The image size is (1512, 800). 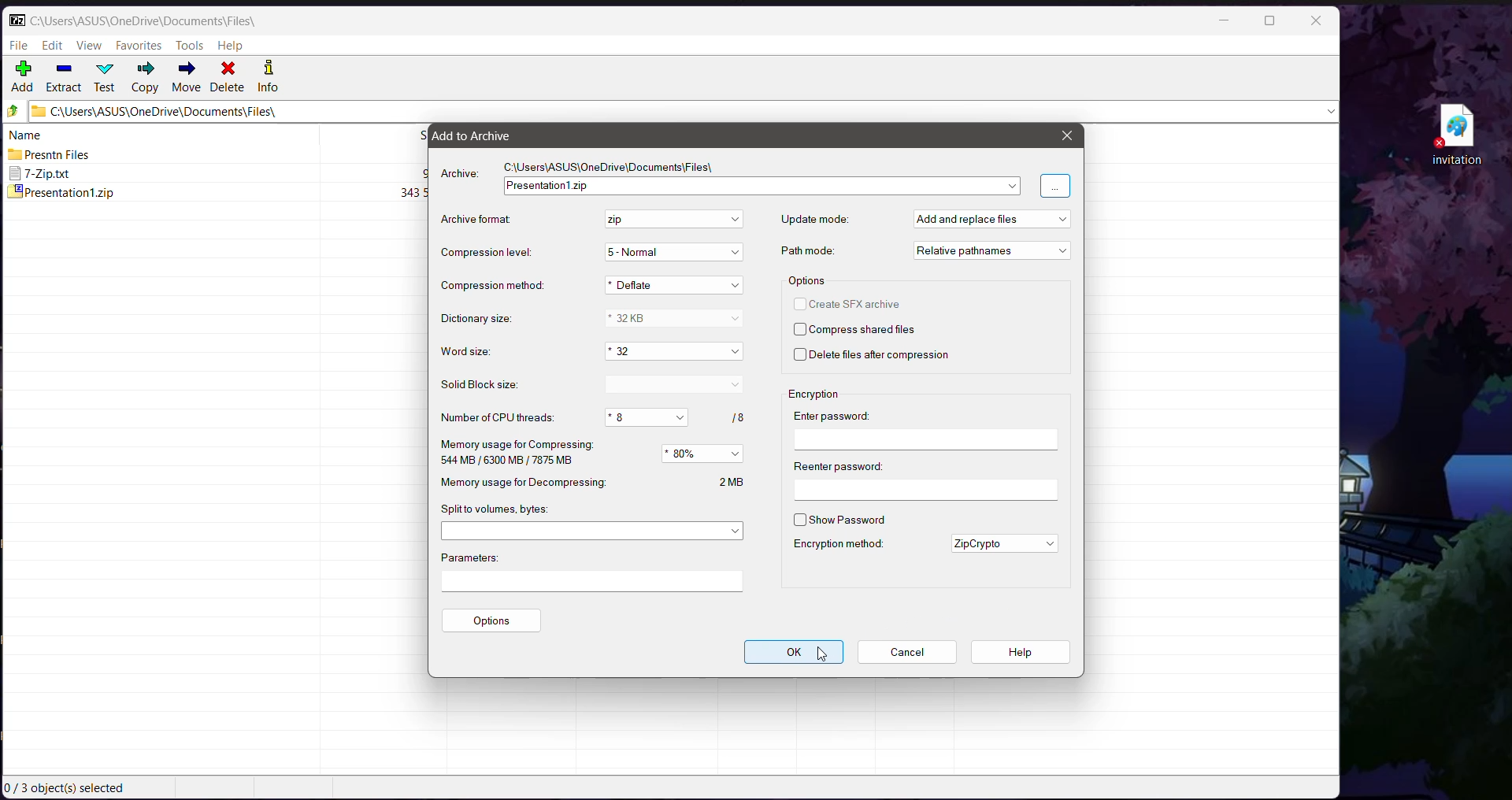 What do you see at coordinates (925, 478) in the screenshot?
I see `Reenter password` at bounding box center [925, 478].